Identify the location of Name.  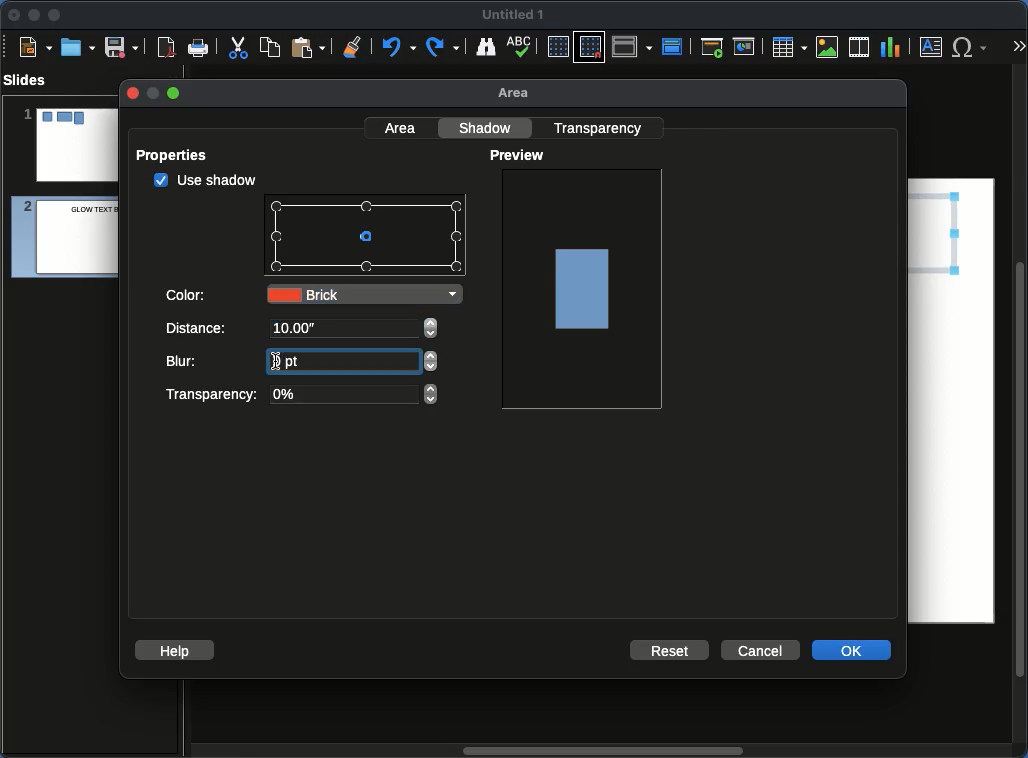
(514, 15).